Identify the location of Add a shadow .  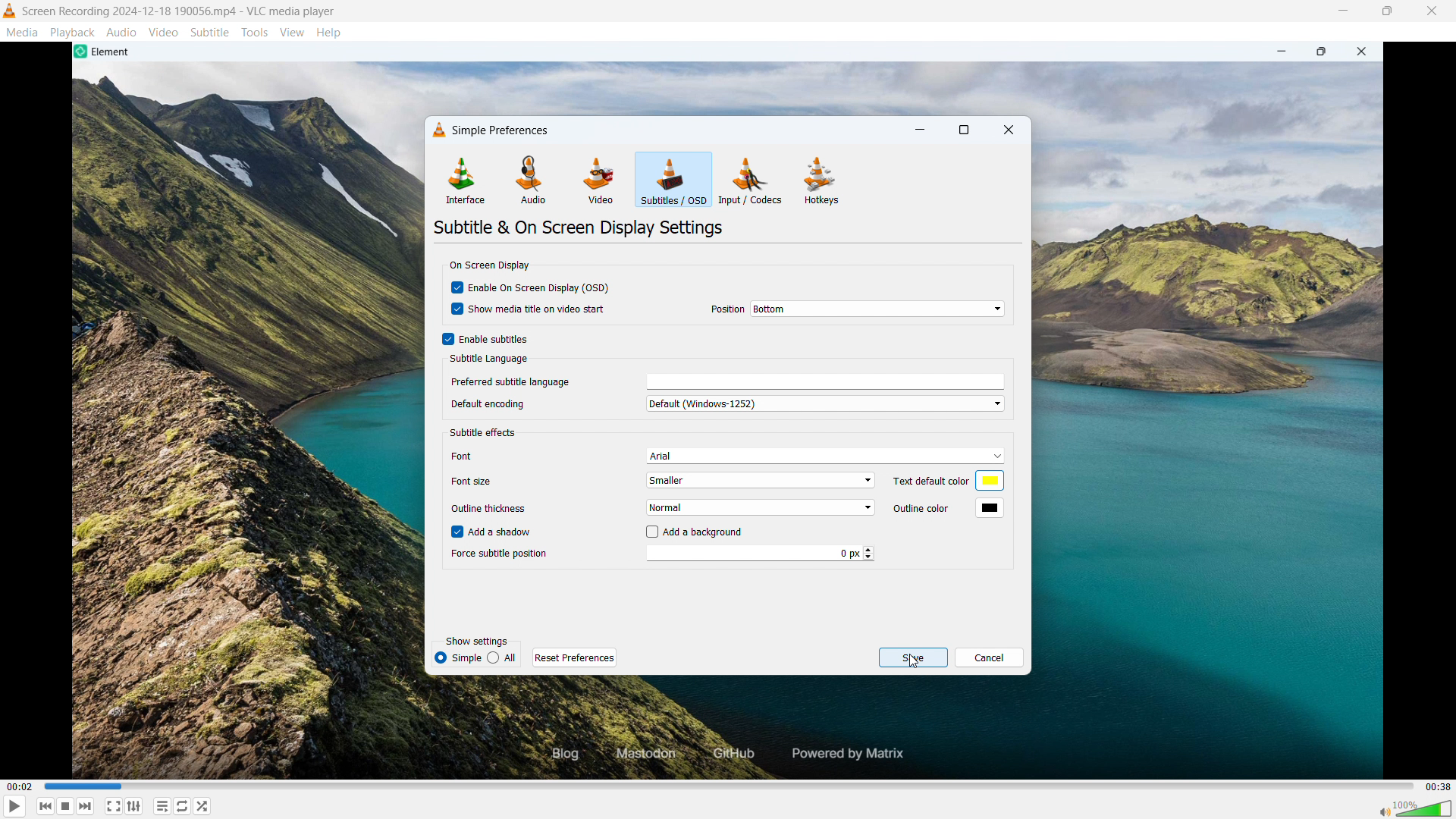
(502, 531).